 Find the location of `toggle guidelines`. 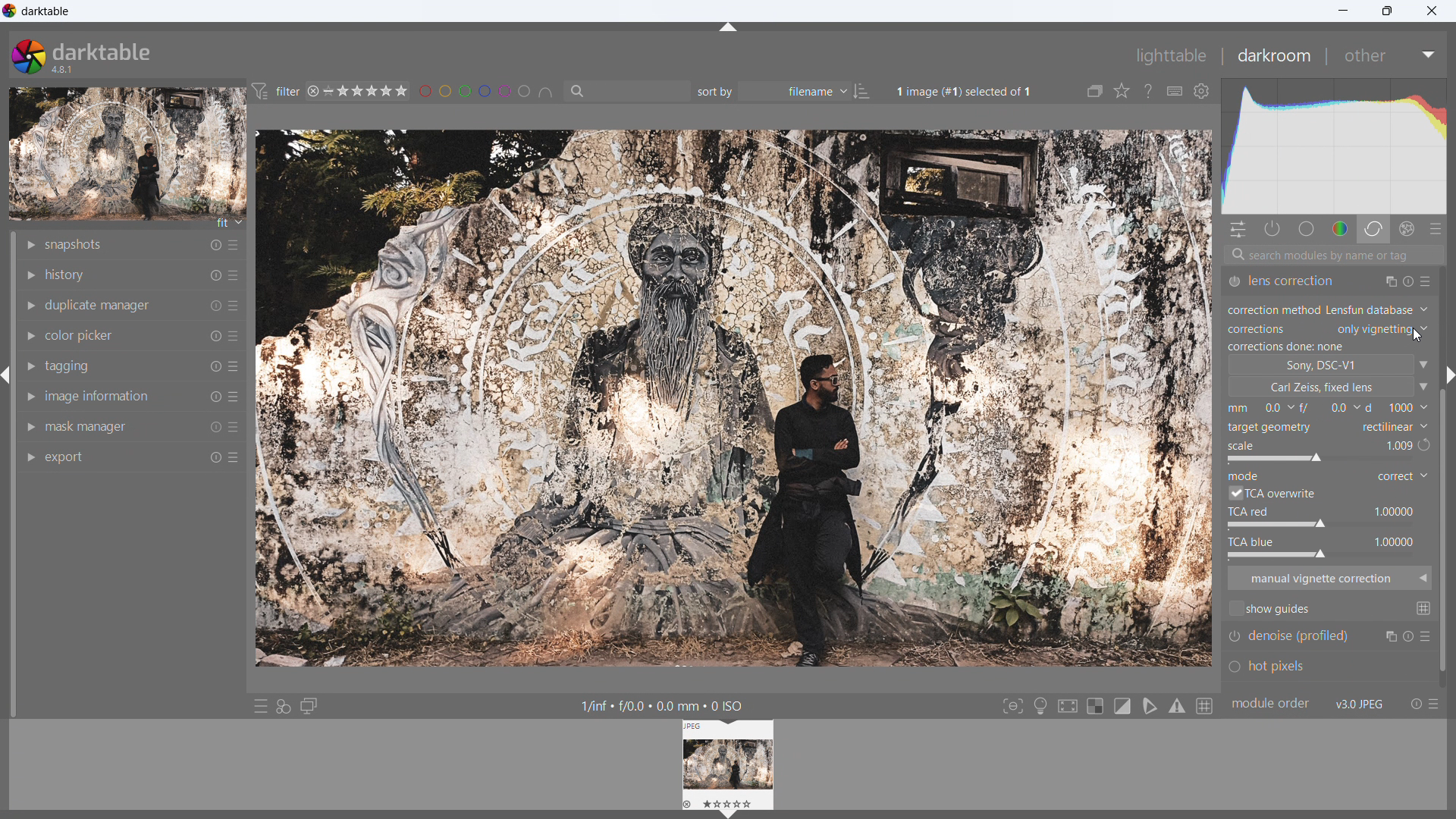

toggle guidelines is located at coordinates (1205, 706).